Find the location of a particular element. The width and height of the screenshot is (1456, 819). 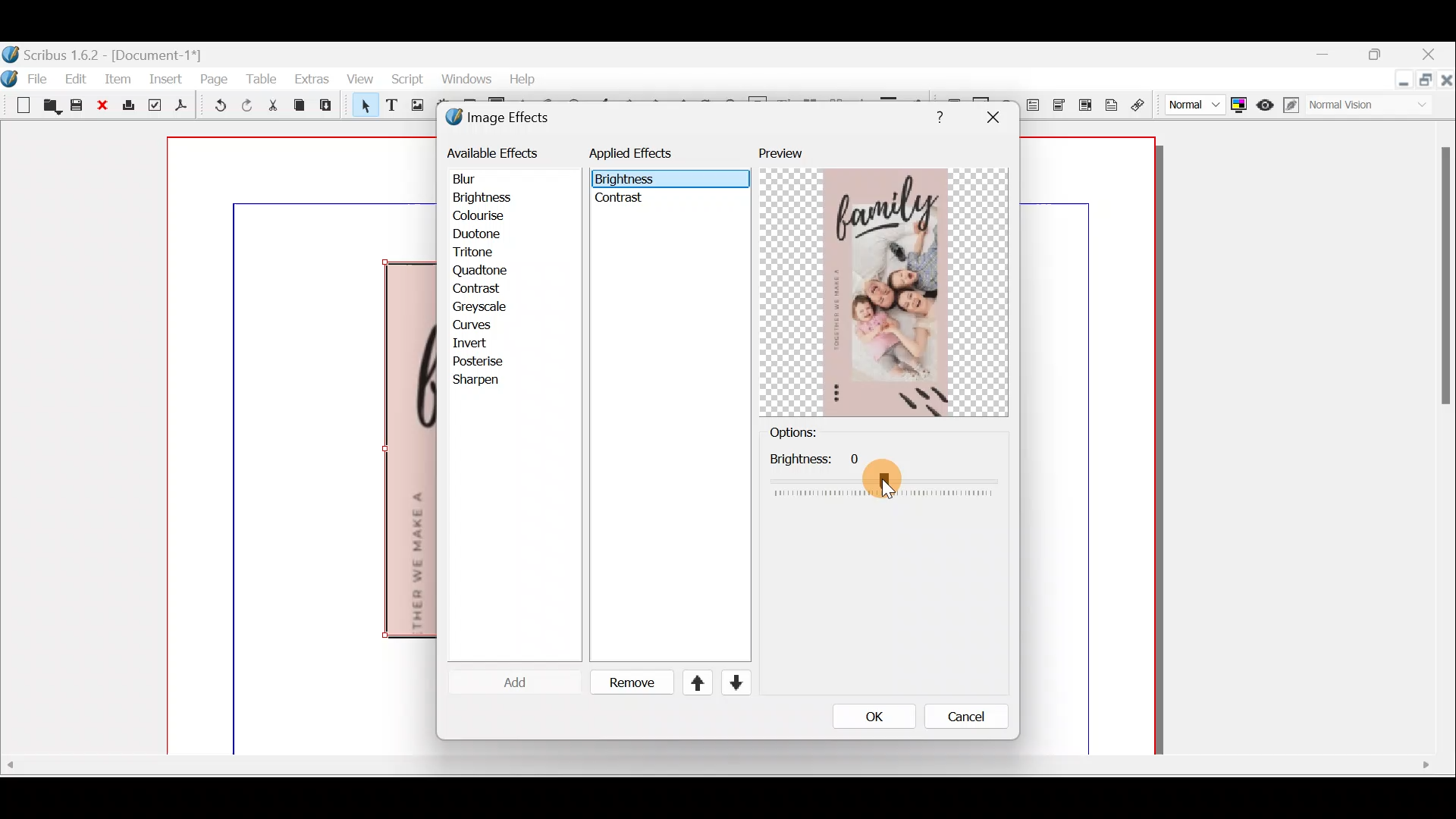

OK is located at coordinates (874, 716).